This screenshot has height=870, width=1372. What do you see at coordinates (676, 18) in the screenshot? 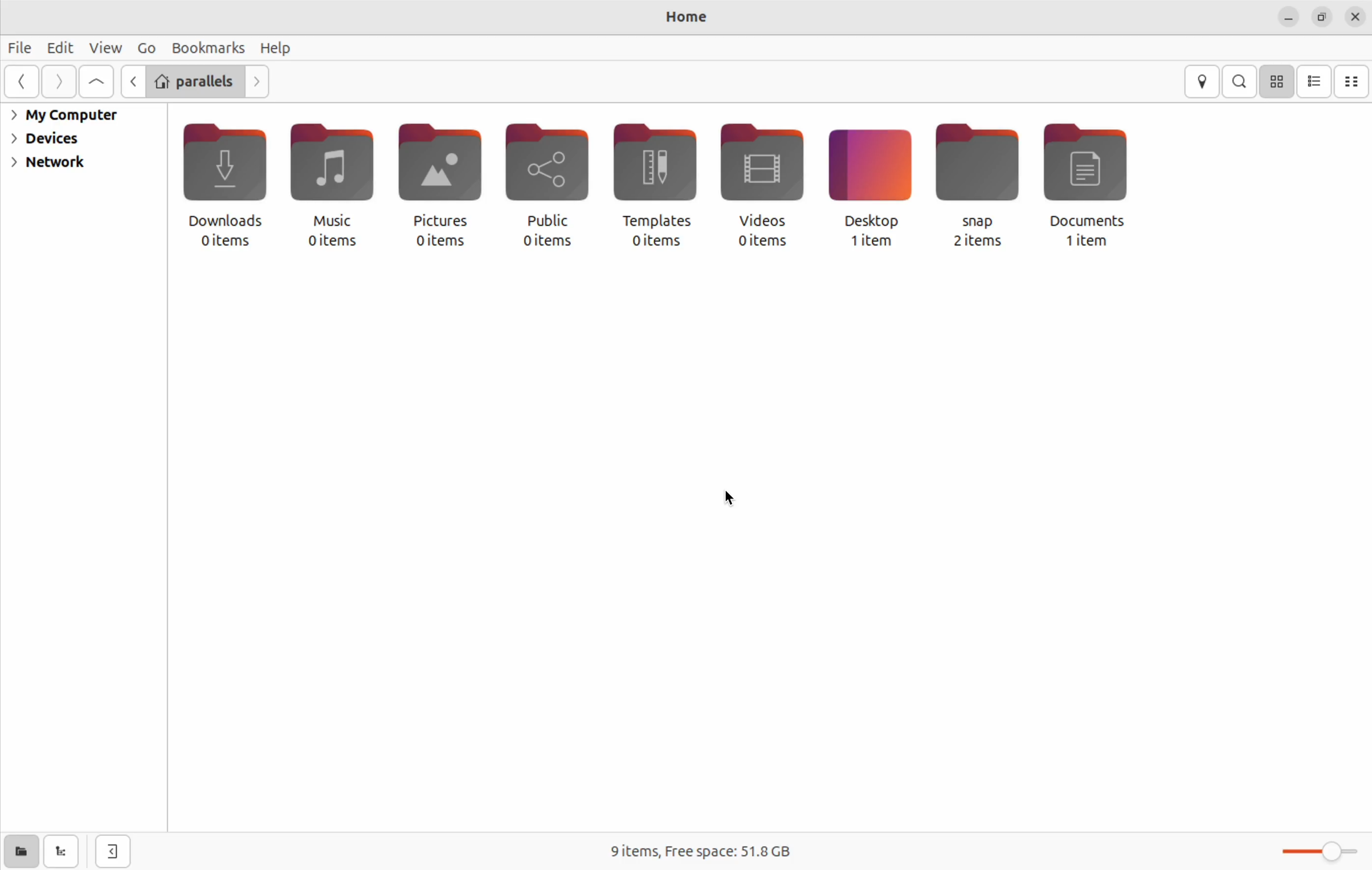
I see `home` at bounding box center [676, 18].